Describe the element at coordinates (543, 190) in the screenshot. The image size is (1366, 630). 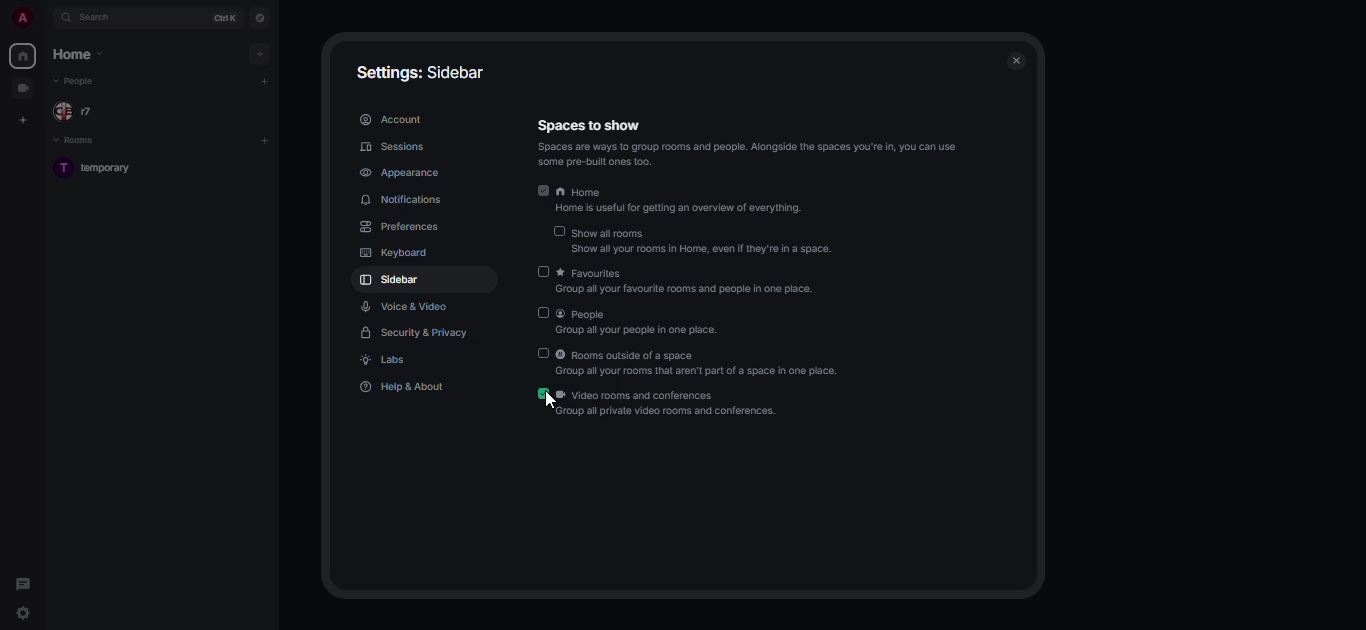
I see `enabled` at that location.